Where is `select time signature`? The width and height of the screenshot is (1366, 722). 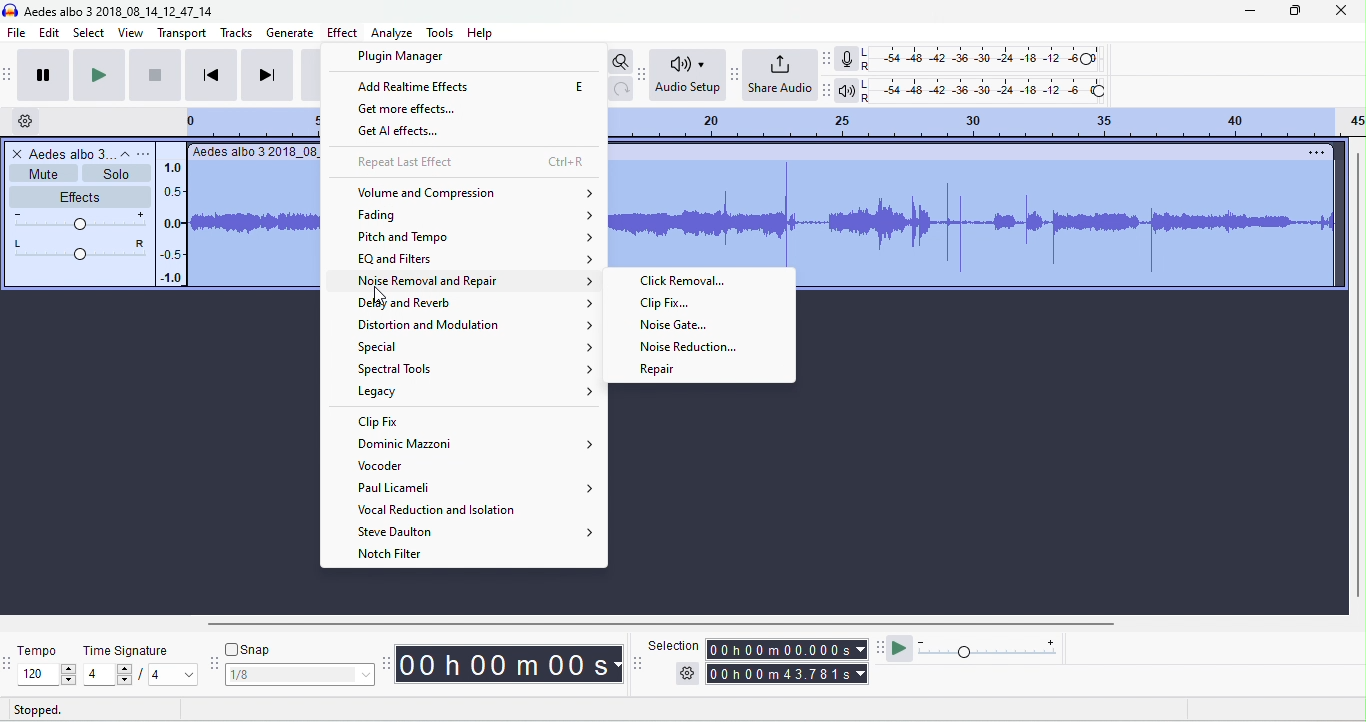 select time signature is located at coordinates (139, 675).